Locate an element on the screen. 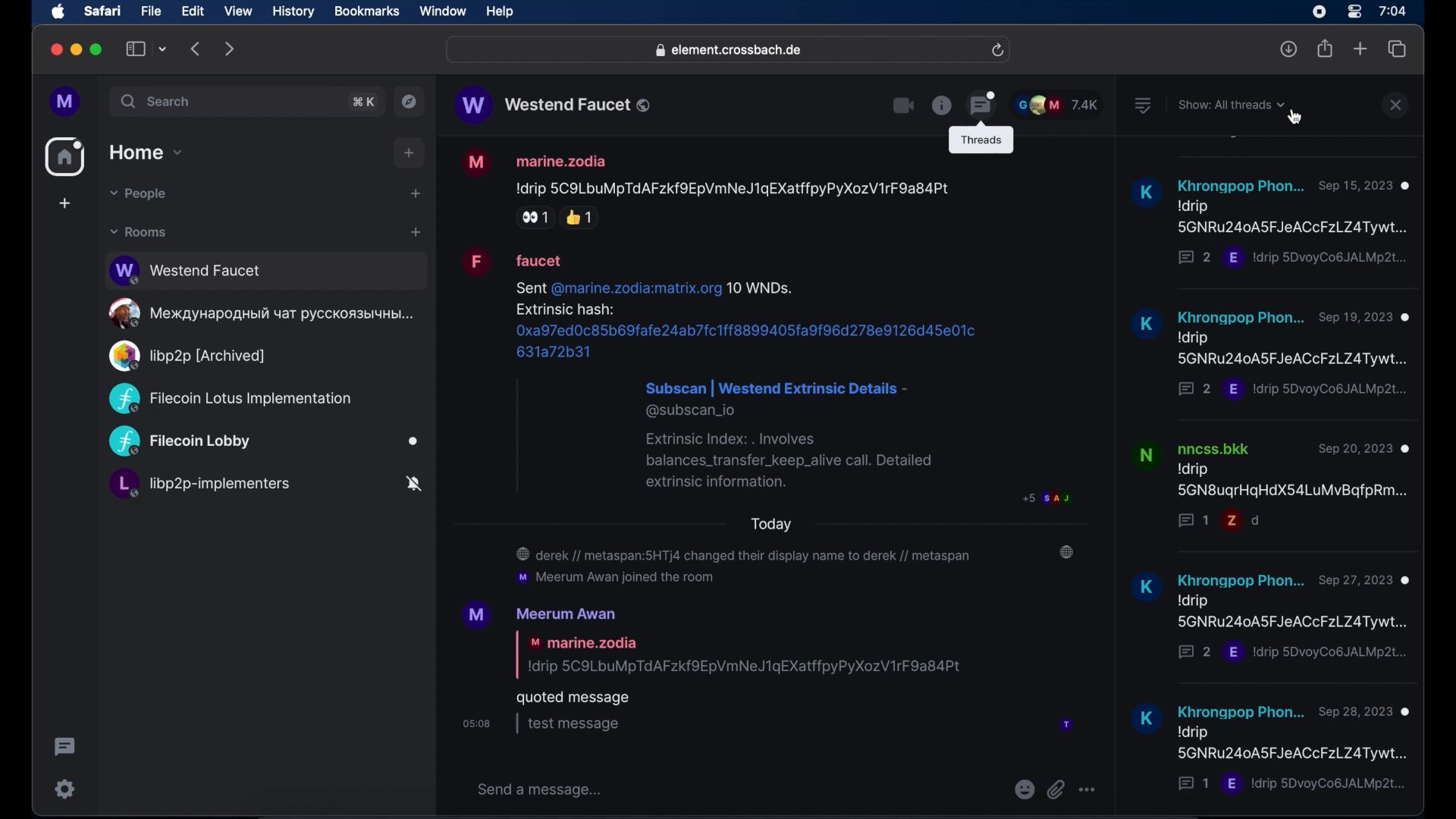 The height and width of the screenshot is (819, 1456). edit is located at coordinates (193, 11).